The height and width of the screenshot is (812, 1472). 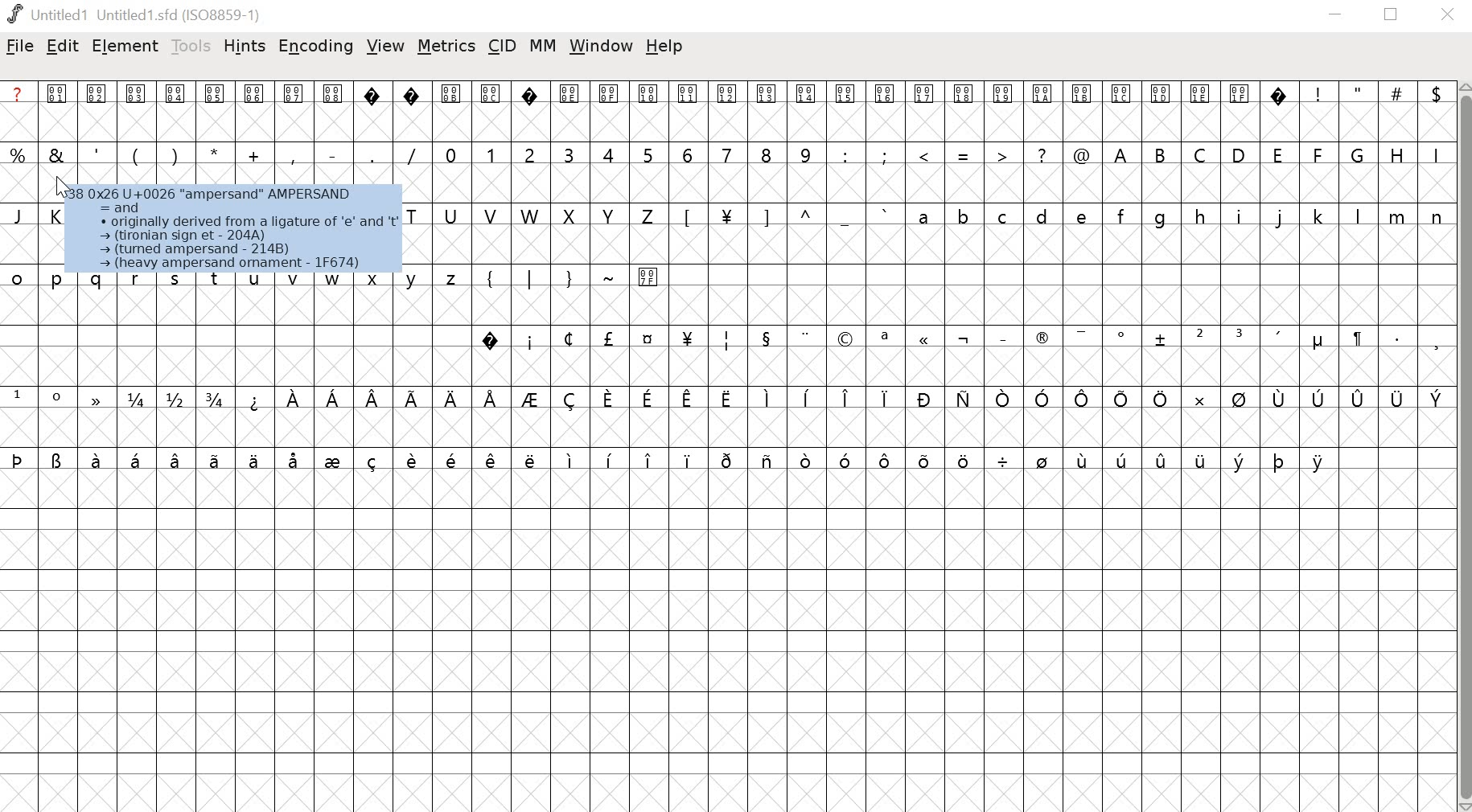 I want to click on symbol, so click(x=924, y=459).